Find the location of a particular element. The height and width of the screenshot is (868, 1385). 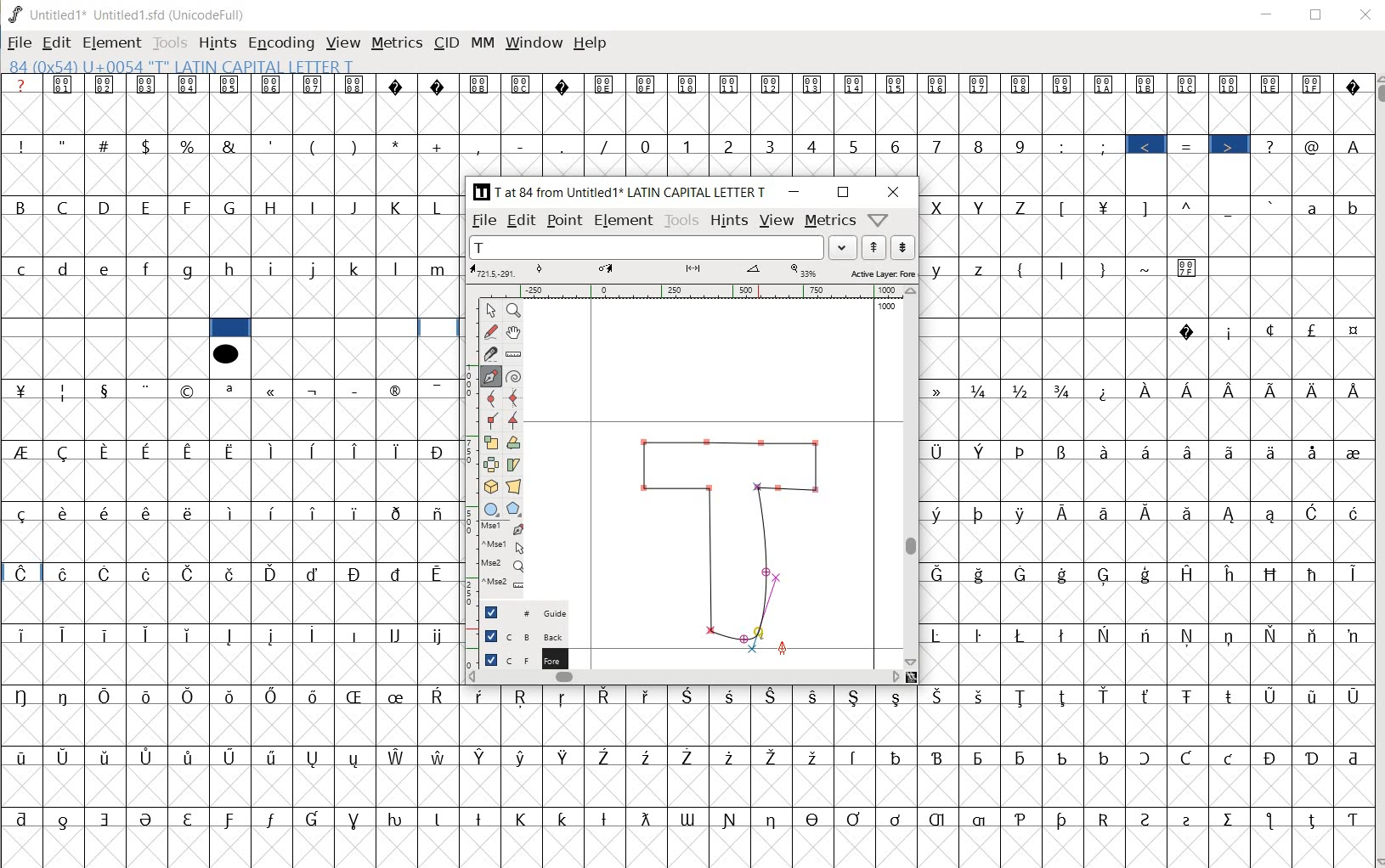

7 is located at coordinates (936, 145).